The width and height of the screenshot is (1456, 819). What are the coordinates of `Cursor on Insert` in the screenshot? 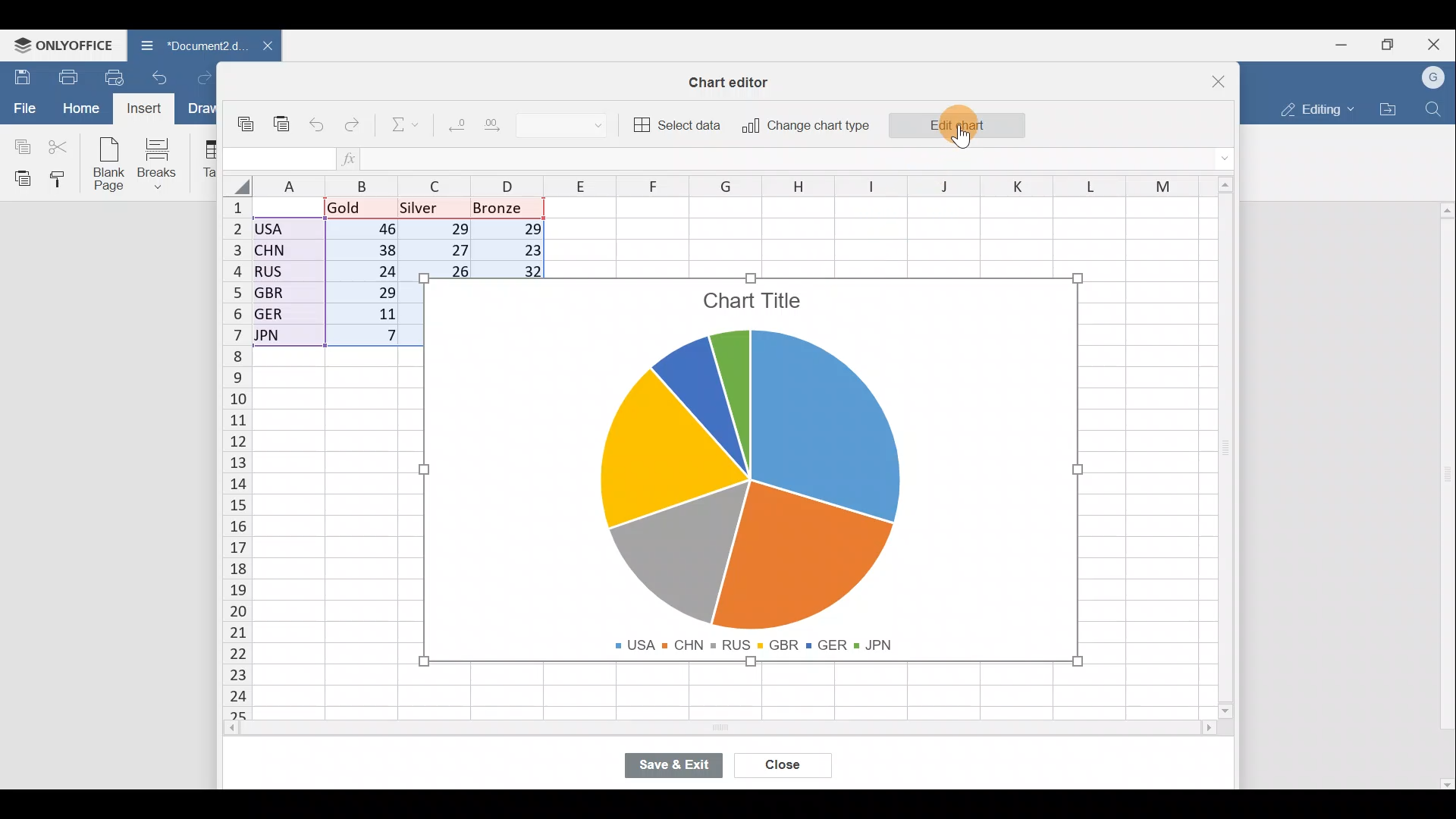 It's located at (149, 108).